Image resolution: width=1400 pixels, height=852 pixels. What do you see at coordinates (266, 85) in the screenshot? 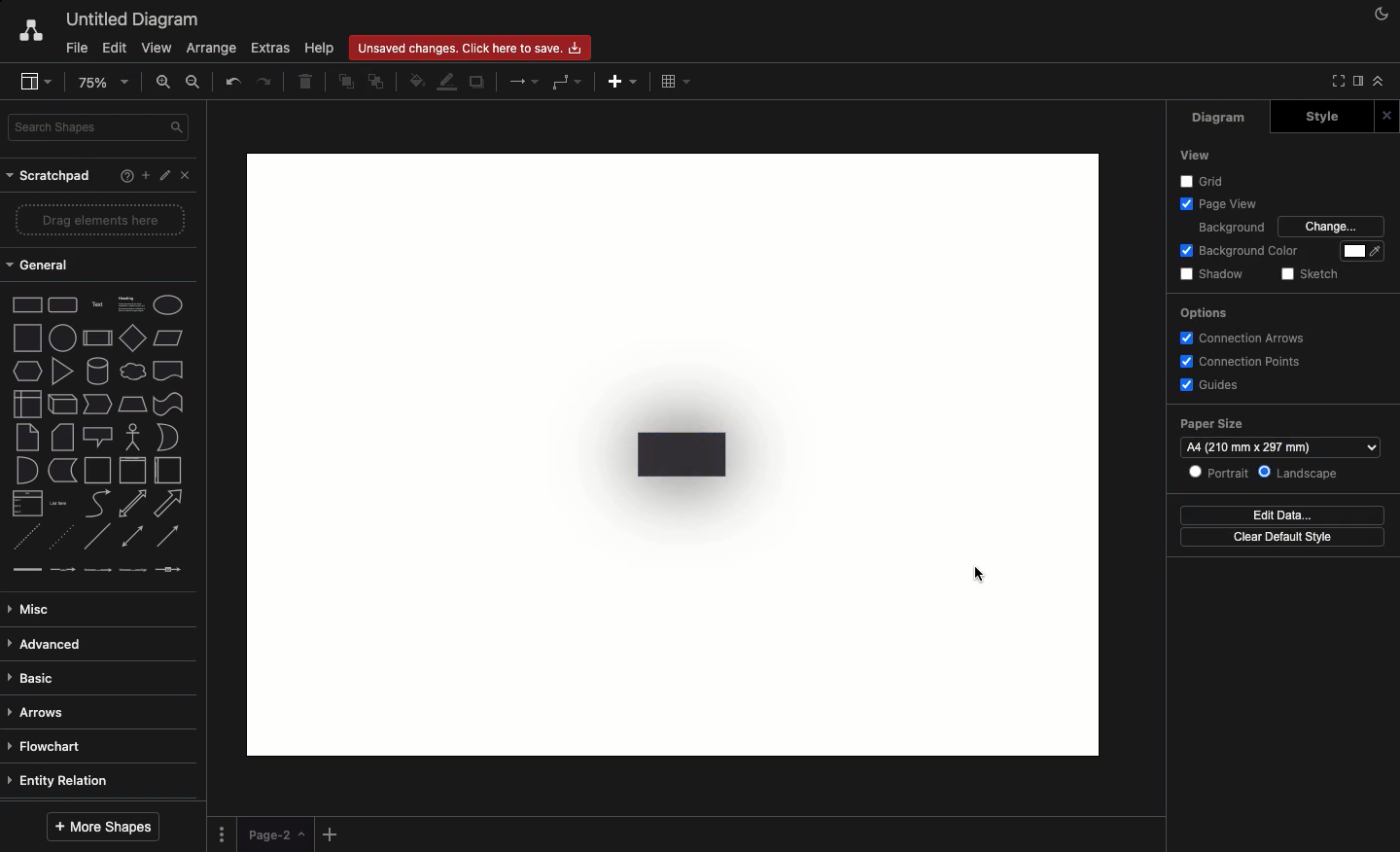
I see `Redo` at bounding box center [266, 85].